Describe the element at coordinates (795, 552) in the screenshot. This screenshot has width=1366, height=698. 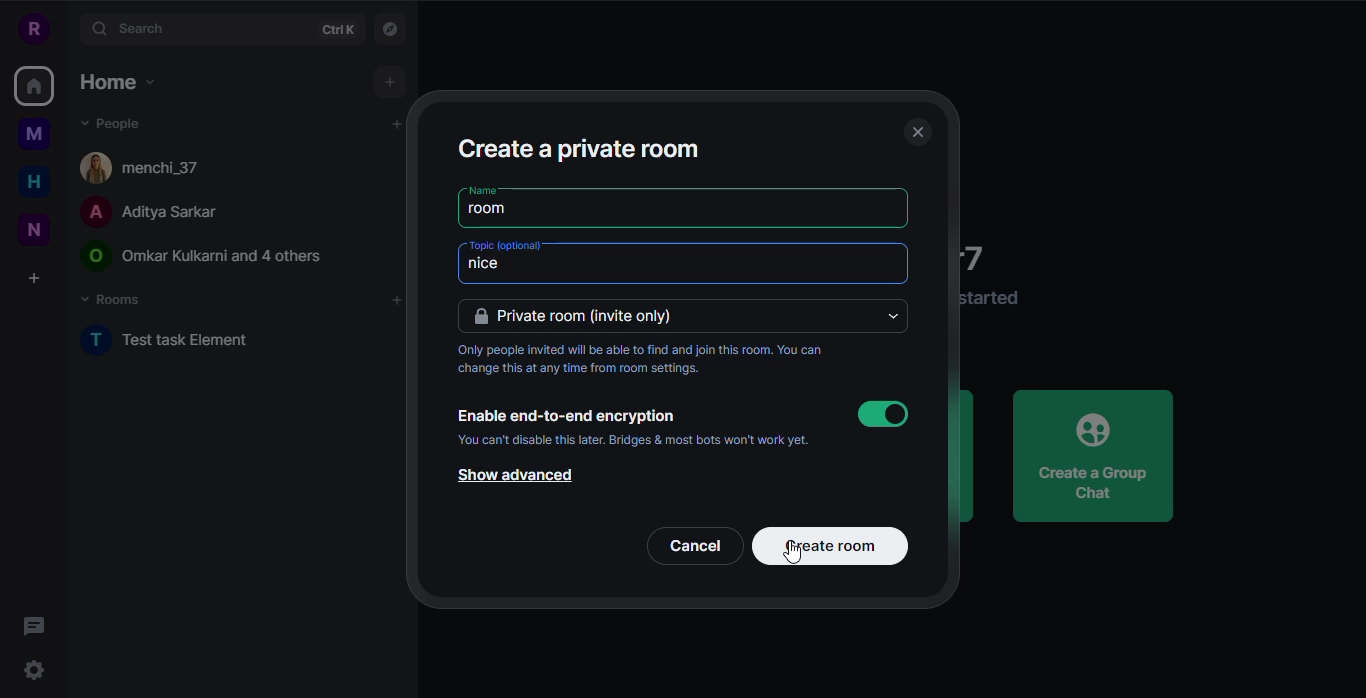
I see `Cursor` at that location.